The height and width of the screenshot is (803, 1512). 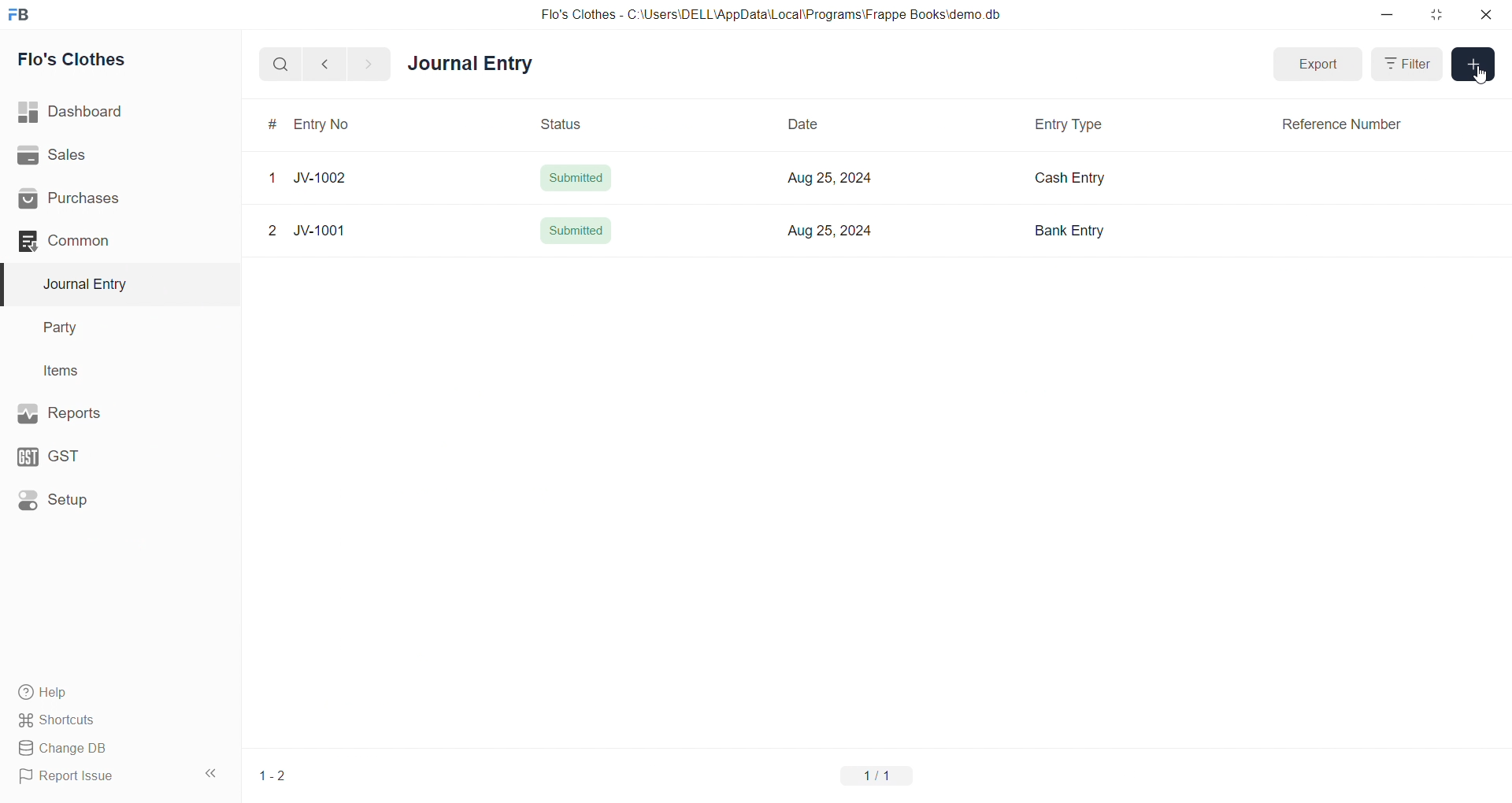 What do you see at coordinates (113, 199) in the screenshot?
I see `Purchases` at bounding box center [113, 199].